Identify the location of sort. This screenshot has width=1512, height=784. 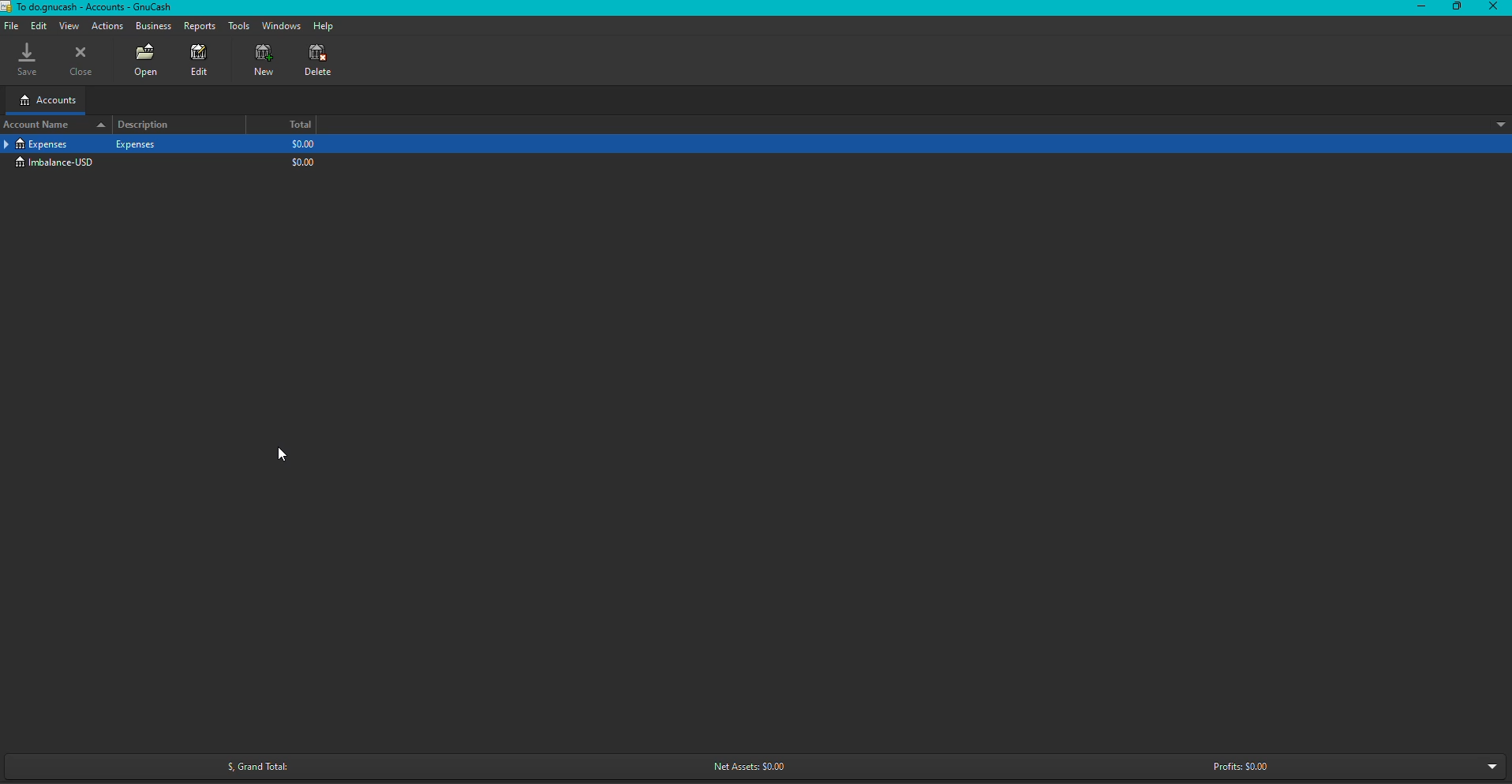
(98, 126).